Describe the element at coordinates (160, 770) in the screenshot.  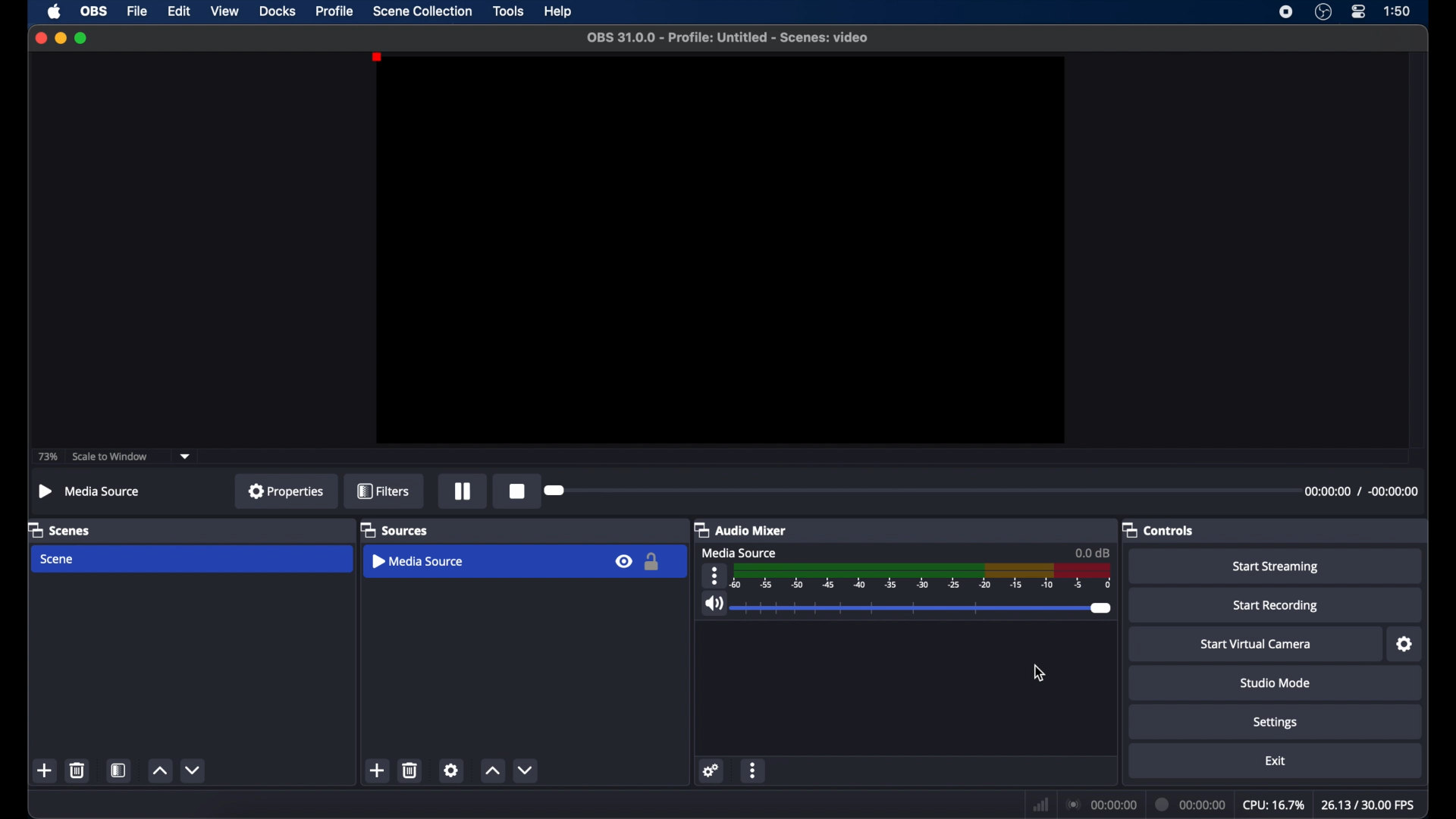
I see `increment` at that location.